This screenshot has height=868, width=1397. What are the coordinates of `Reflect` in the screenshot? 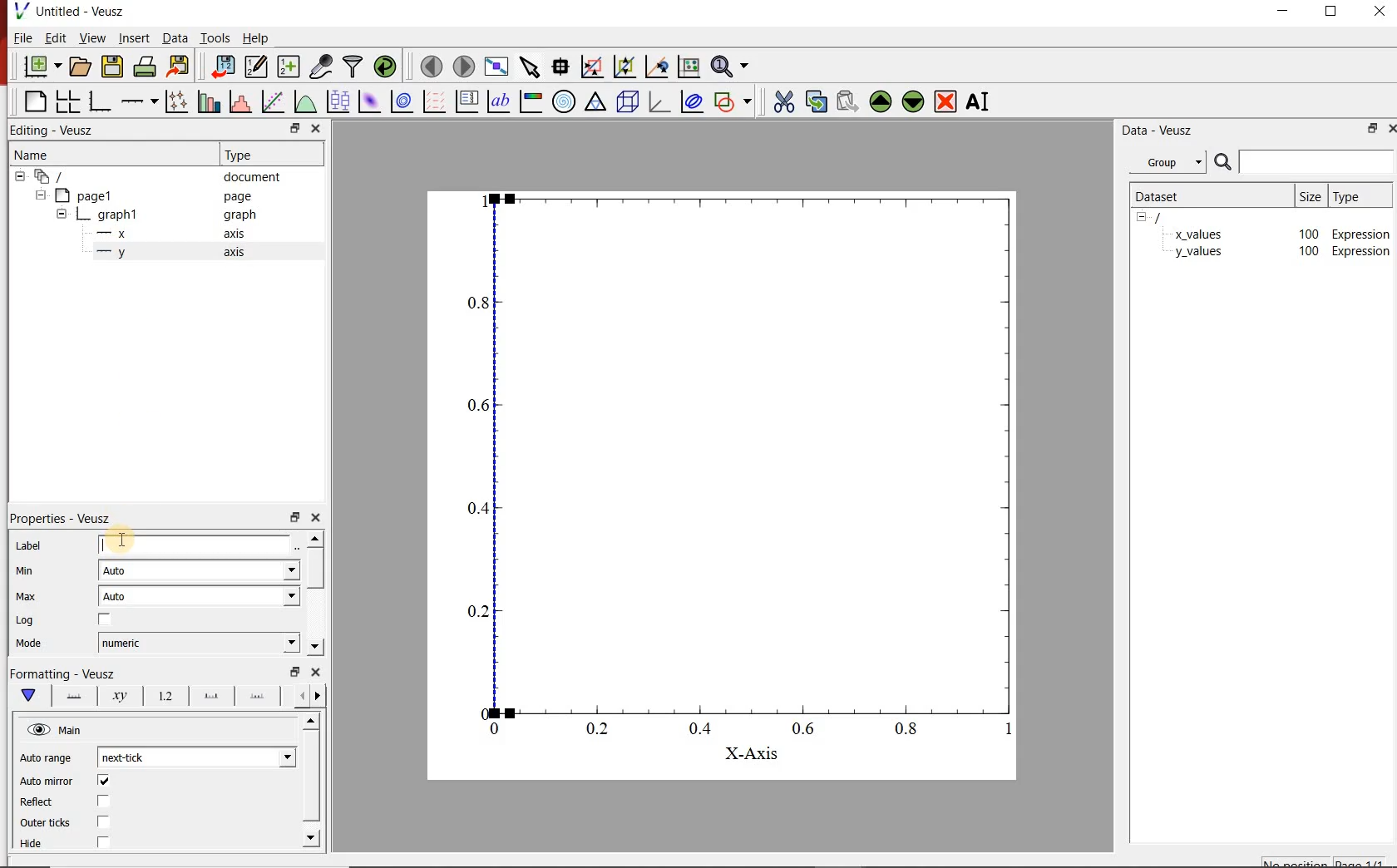 It's located at (46, 803).